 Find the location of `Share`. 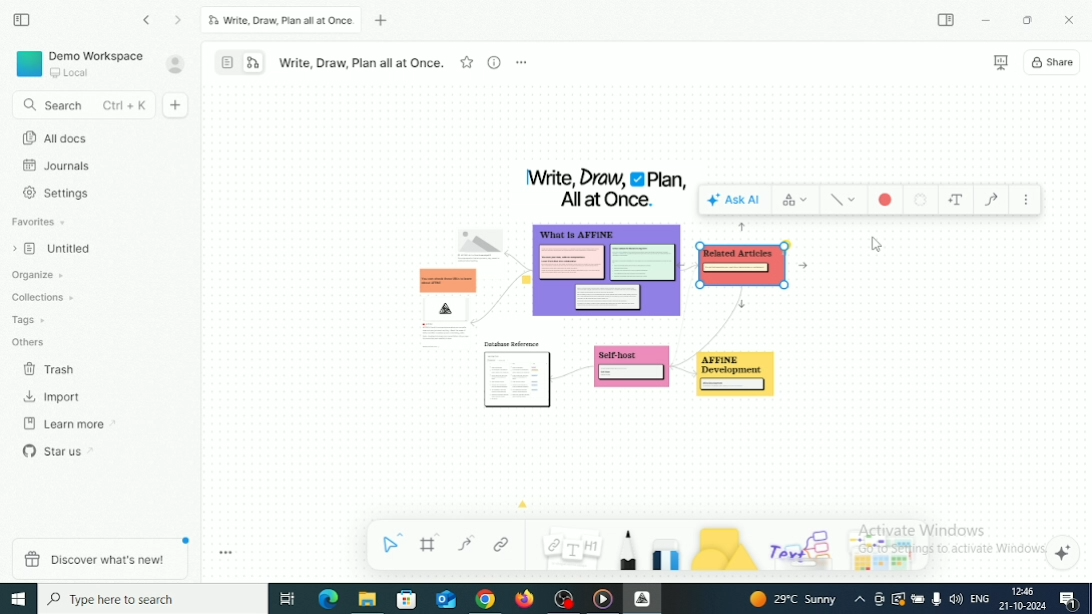

Share is located at coordinates (1054, 62).